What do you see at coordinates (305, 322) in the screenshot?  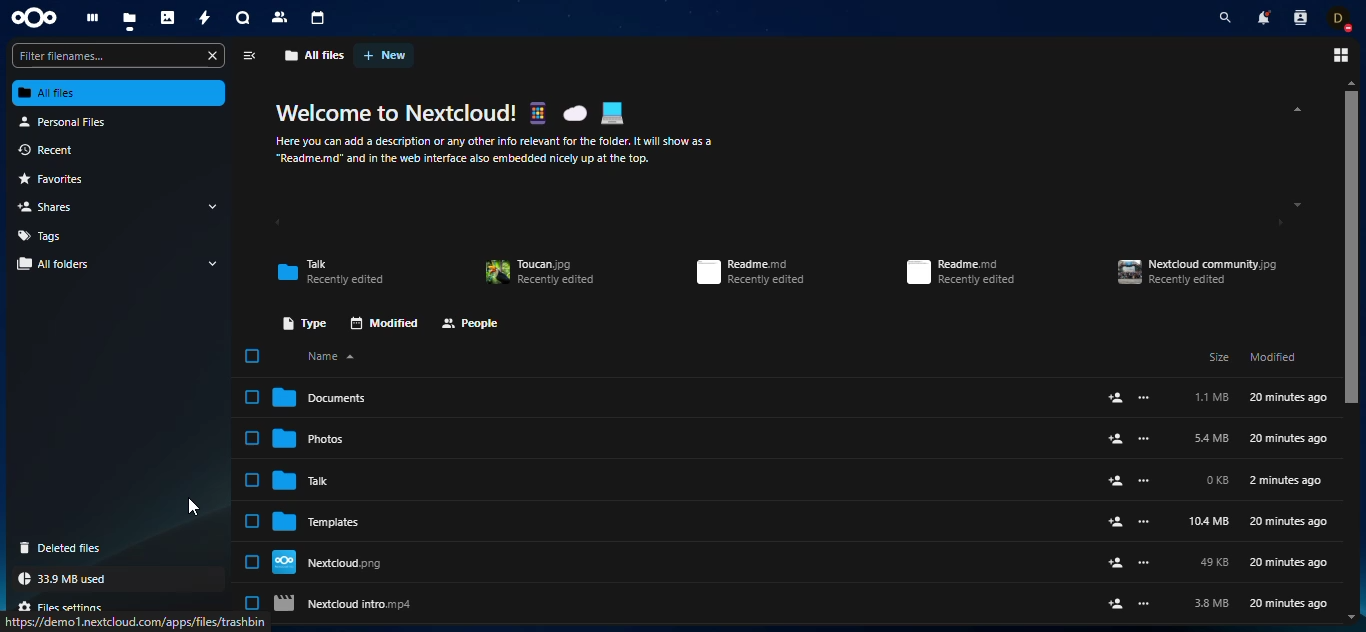 I see `Type` at bounding box center [305, 322].